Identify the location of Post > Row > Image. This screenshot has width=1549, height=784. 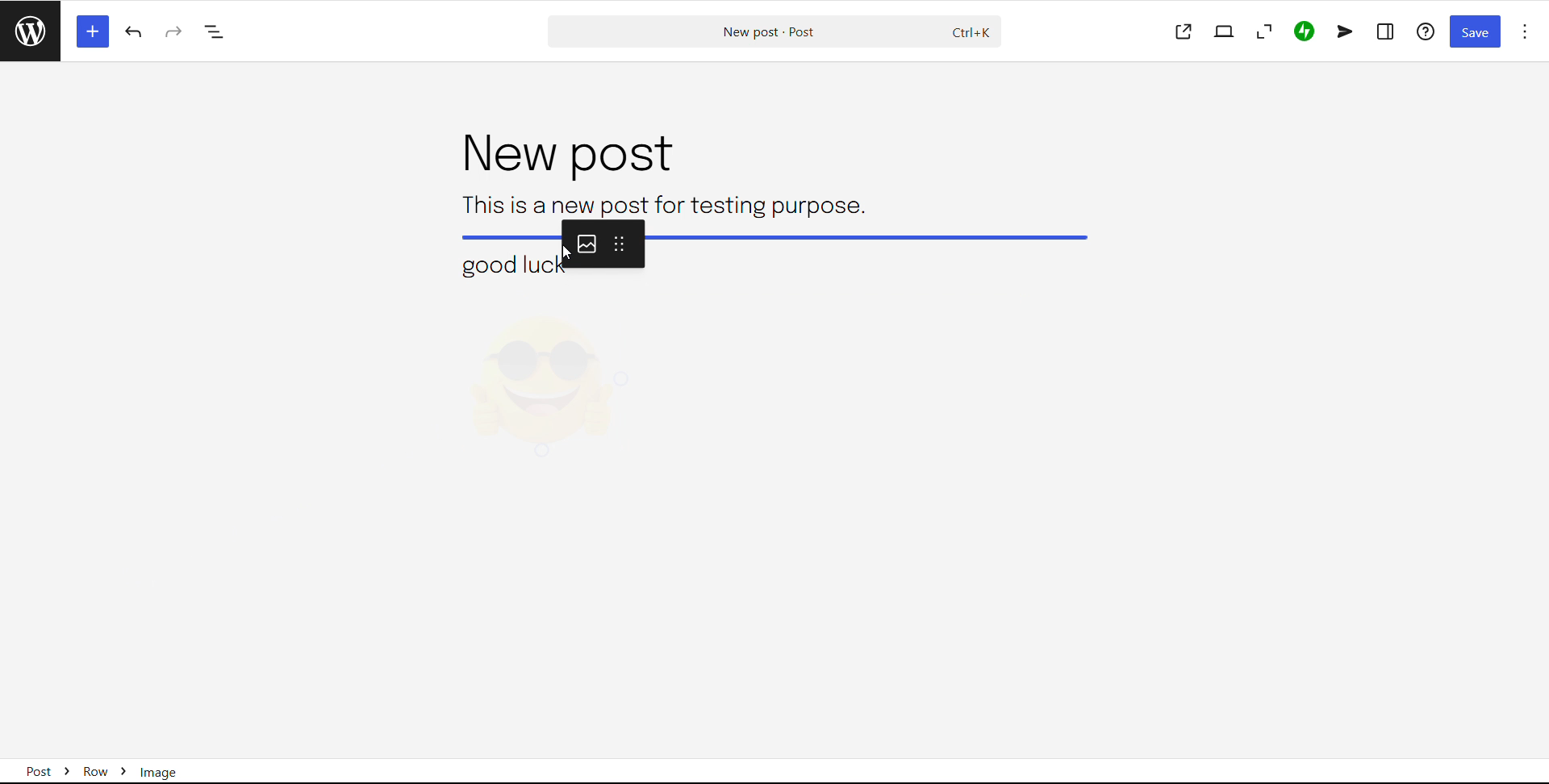
(114, 766).